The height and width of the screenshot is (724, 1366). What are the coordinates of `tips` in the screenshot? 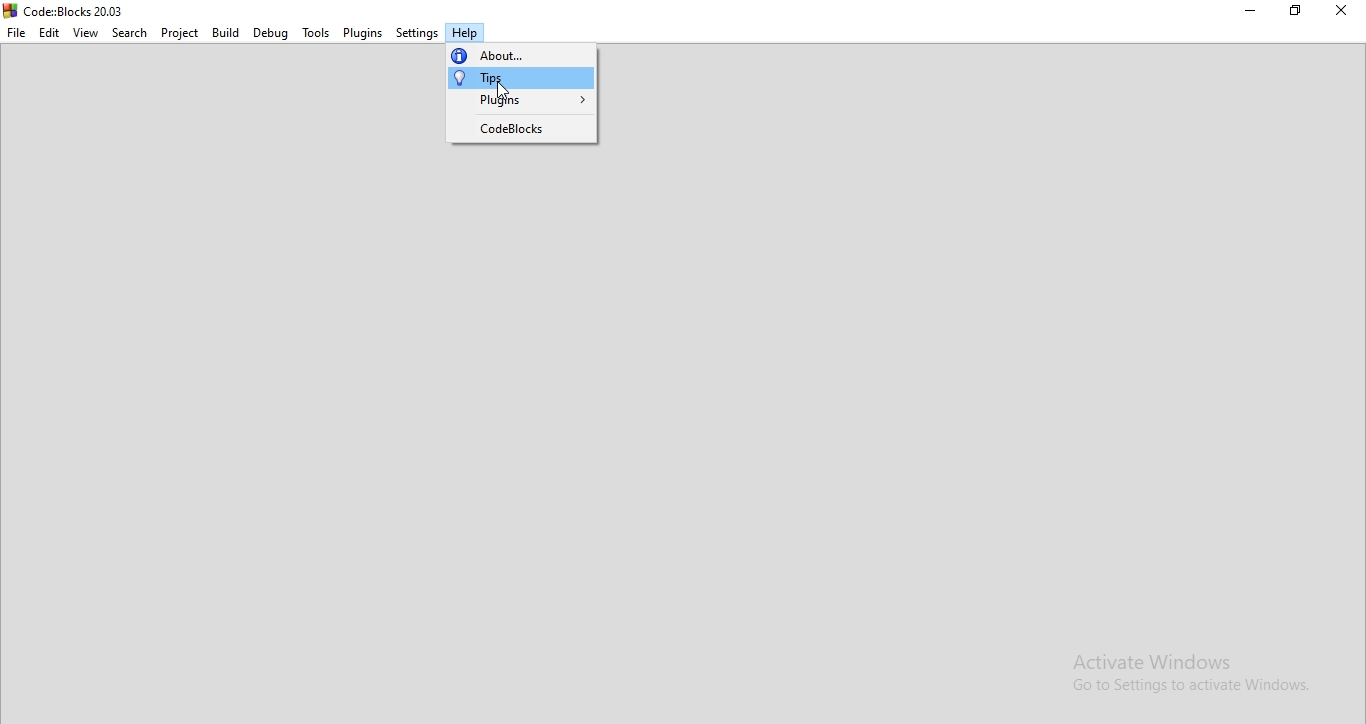 It's located at (519, 78).